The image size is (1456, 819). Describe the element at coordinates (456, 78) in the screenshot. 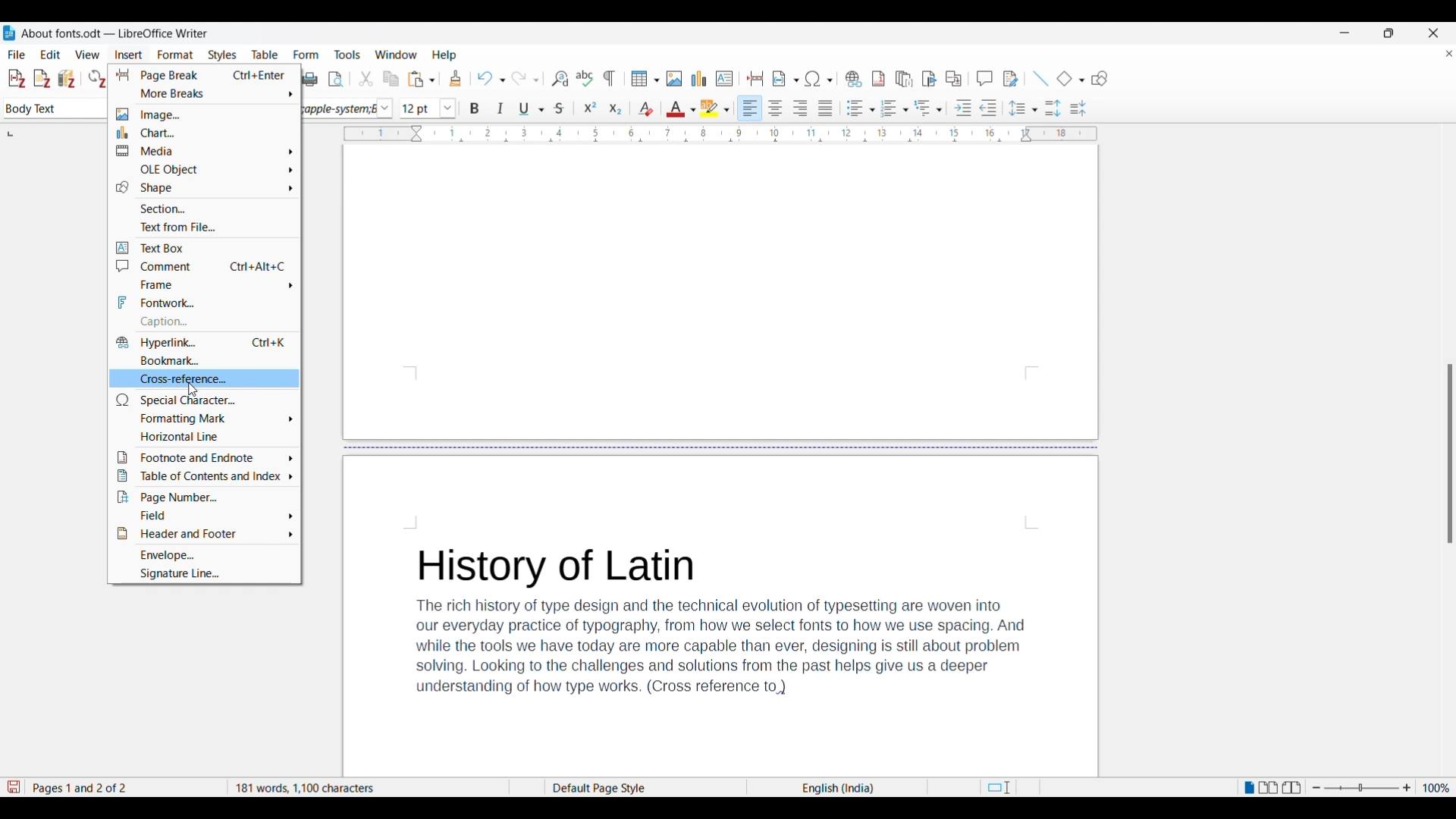

I see `Clone formatting` at that location.